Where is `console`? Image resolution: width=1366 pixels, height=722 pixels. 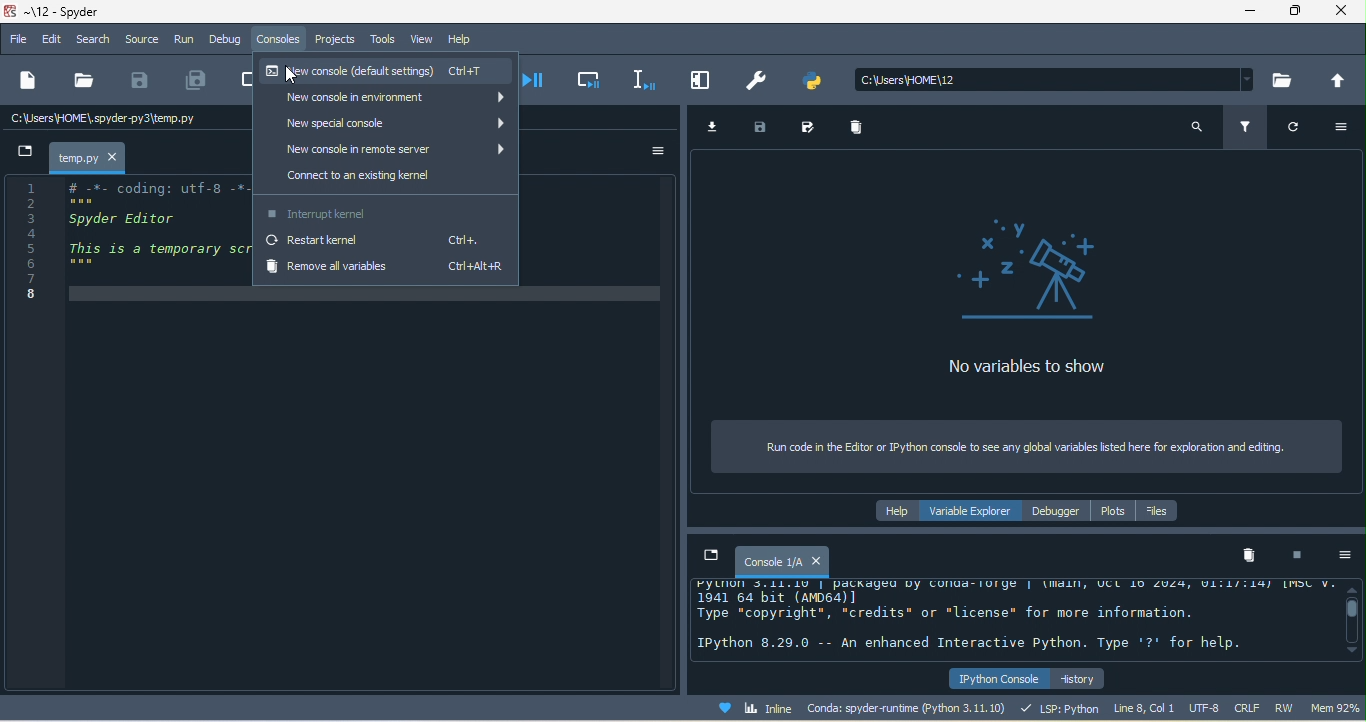 console is located at coordinates (781, 561).